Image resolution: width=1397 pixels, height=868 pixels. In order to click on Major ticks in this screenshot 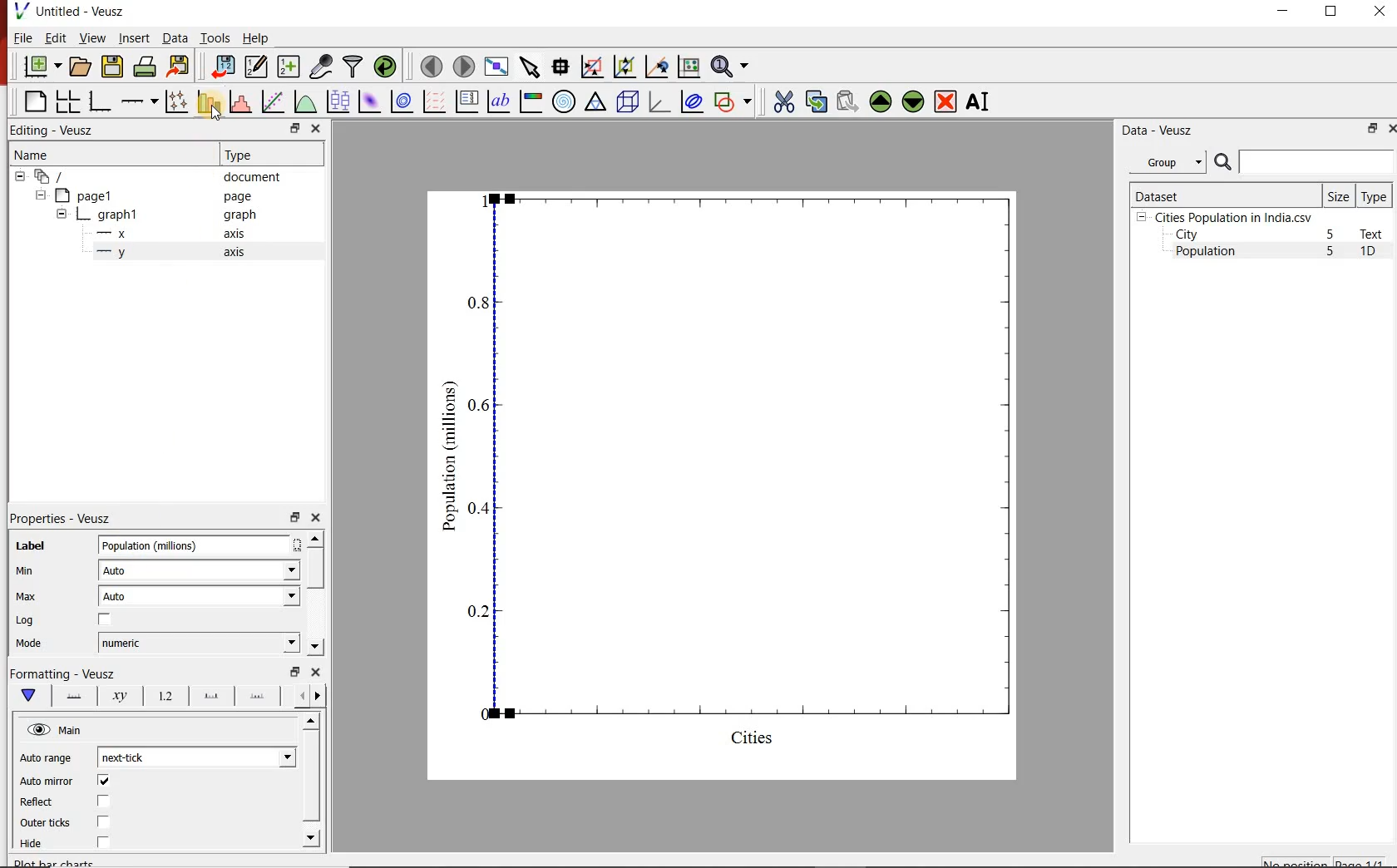, I will do `click(206, 698)`.